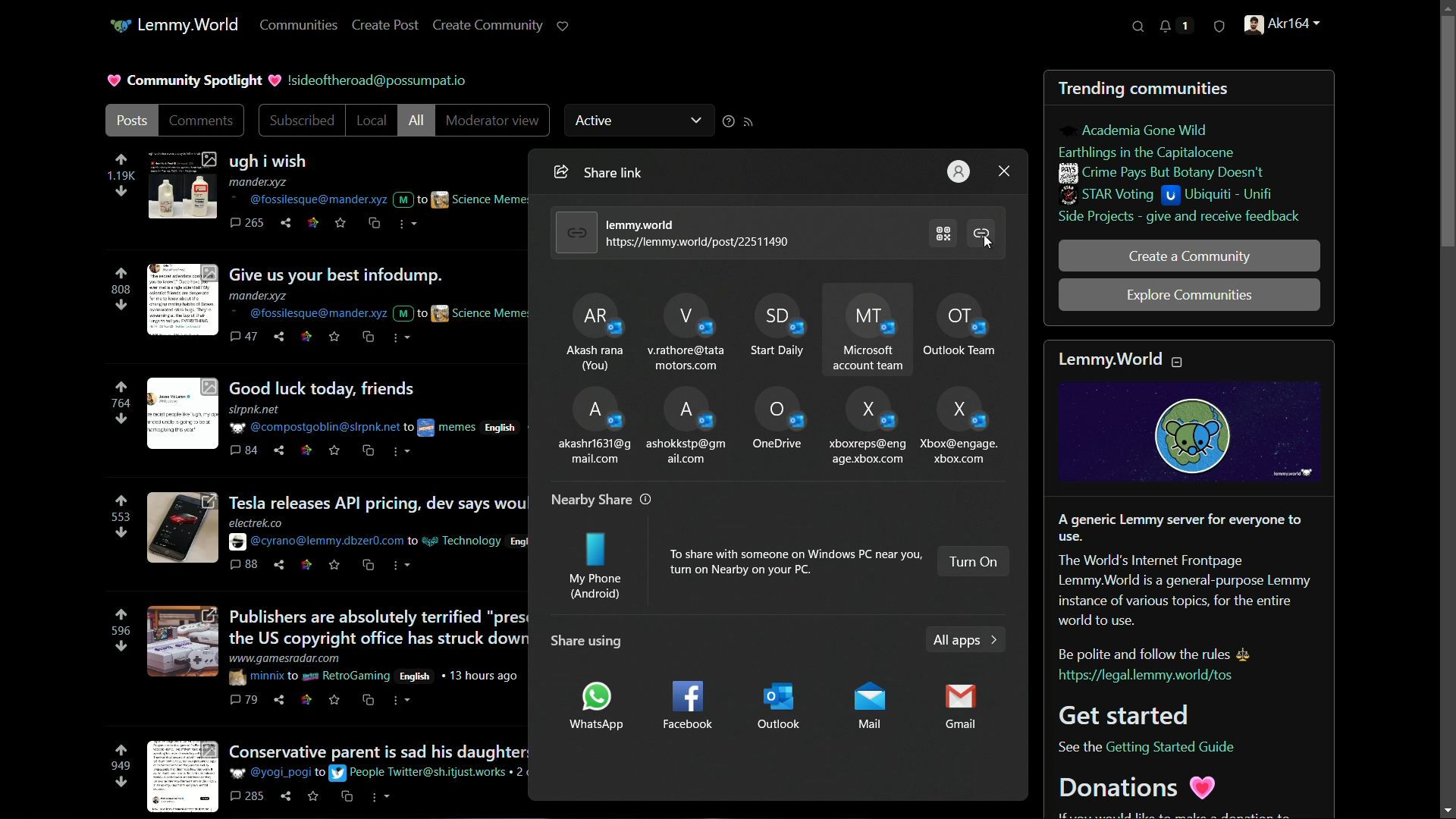 This screenshot has width=1456, height=819. What do you see at coordinates (180, 415) in the screenshot?
I see `thumbnail` at bounding box center [180, 415].